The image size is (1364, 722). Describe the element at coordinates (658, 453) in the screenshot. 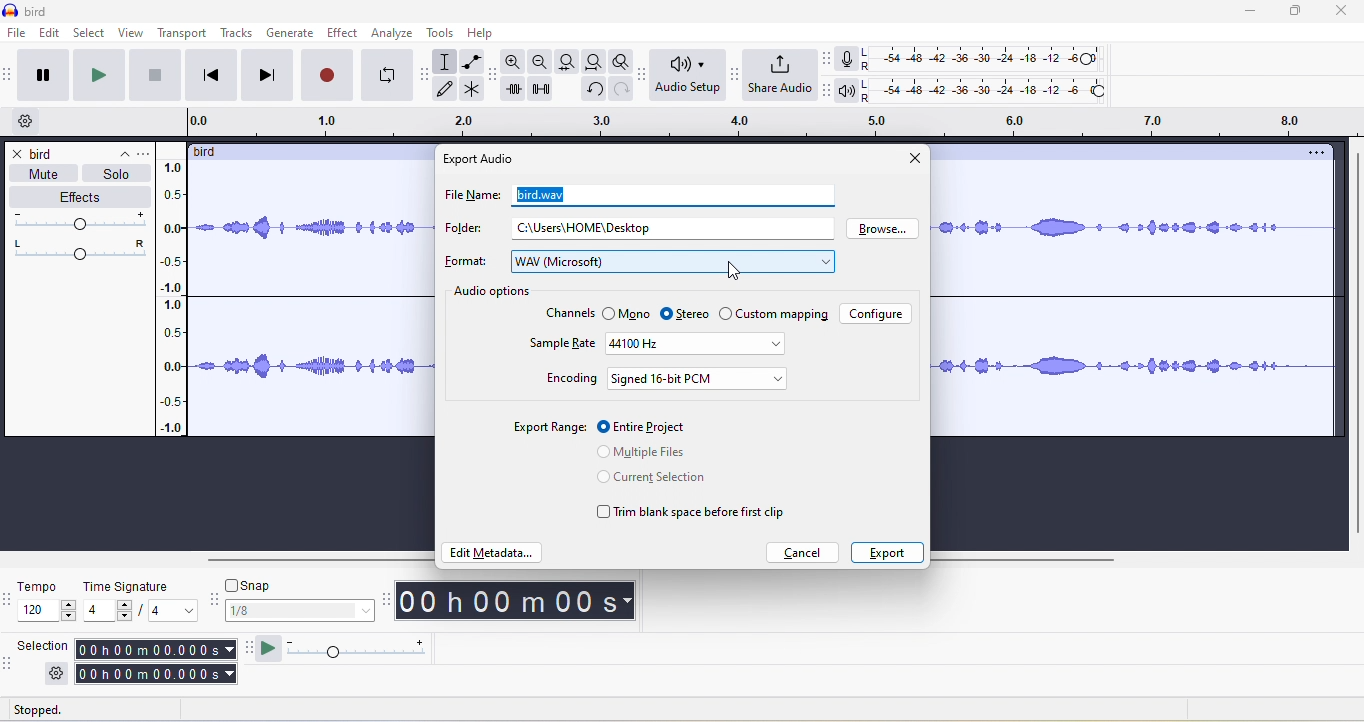

I see `multiple file` at that location.